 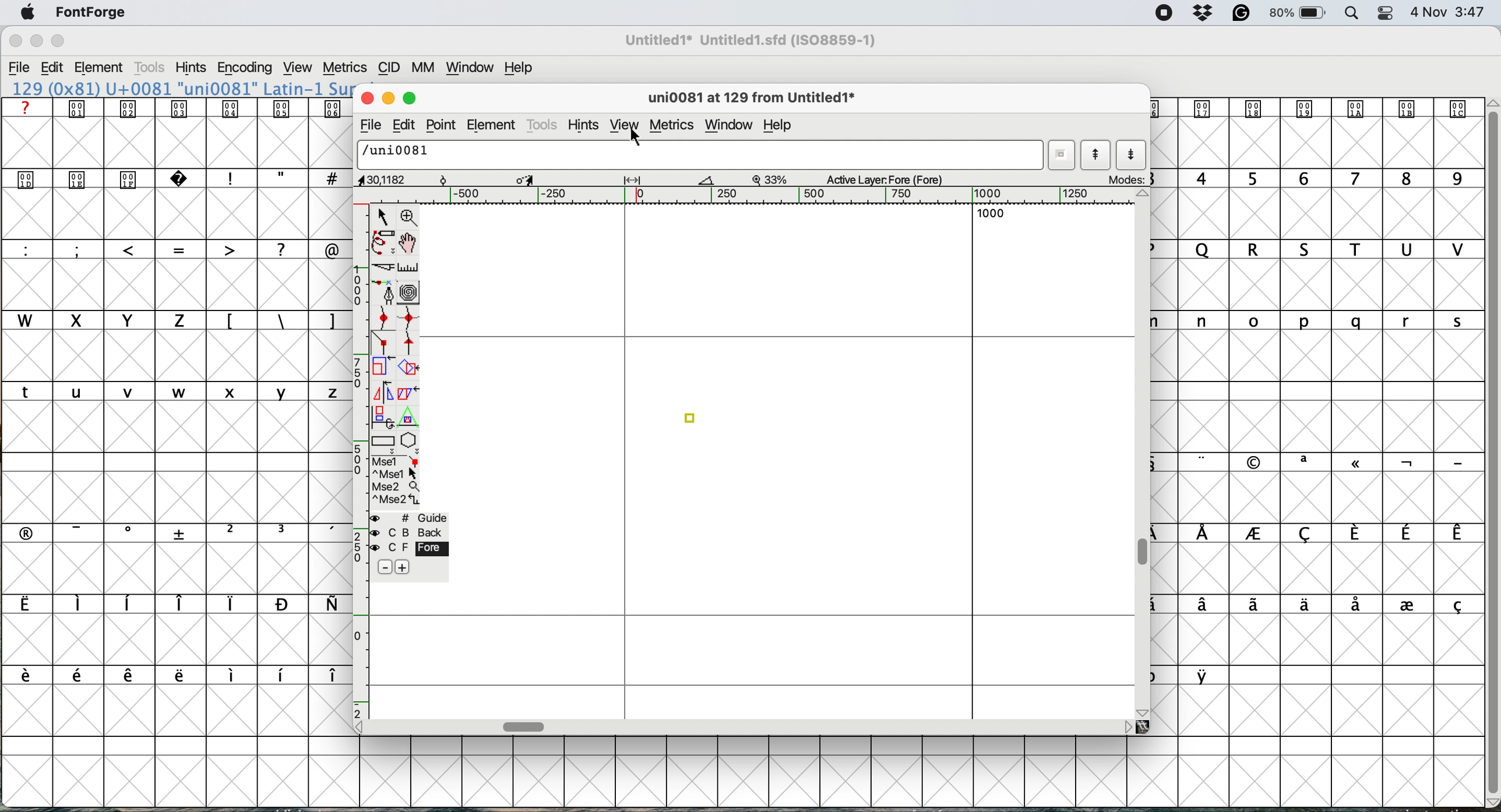 What do you see at coordinates (1352, 14) in the screenshot?
I see `Spotlight Search` at bounding box center [1352, 14].